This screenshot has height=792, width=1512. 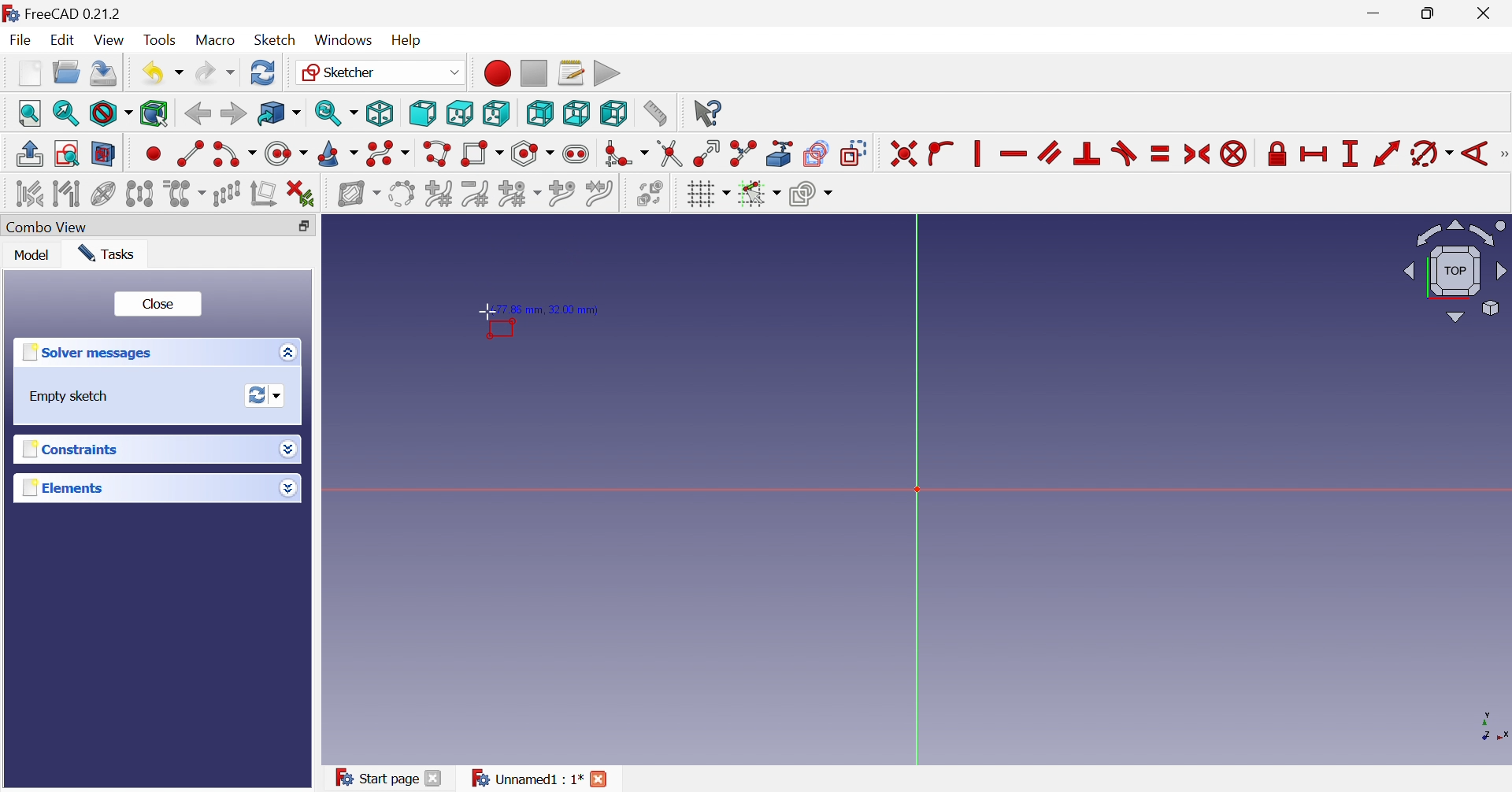 What do you see at coordinates (533, 154) in the screenshot?
I see `Create regular polygon` at bounding box center [533, 154].